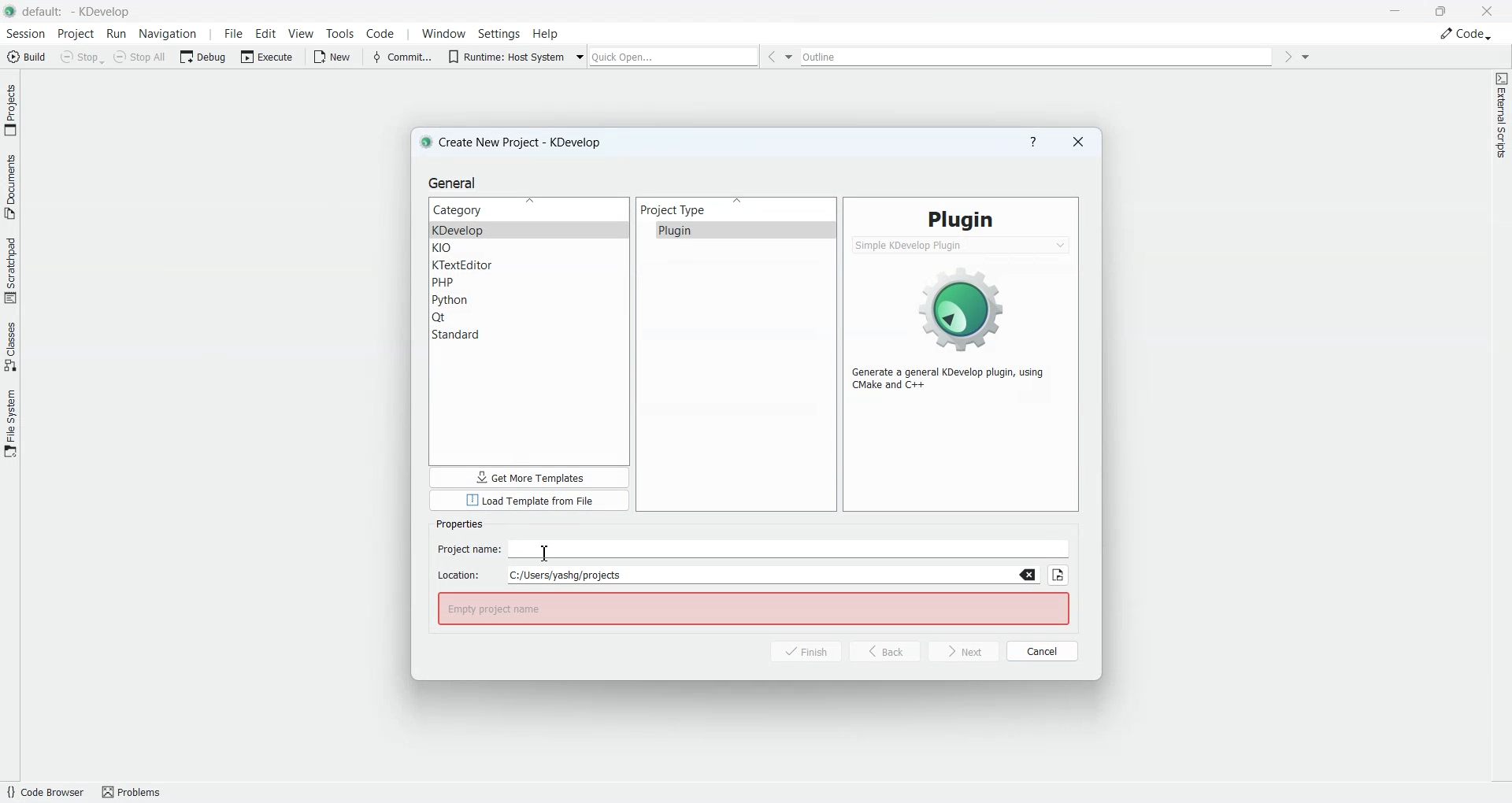 This screenshot has height=803, width=1512. Describe the element at coordinates (1442, 9) in the screenshot. I see `Maximize` at that location.